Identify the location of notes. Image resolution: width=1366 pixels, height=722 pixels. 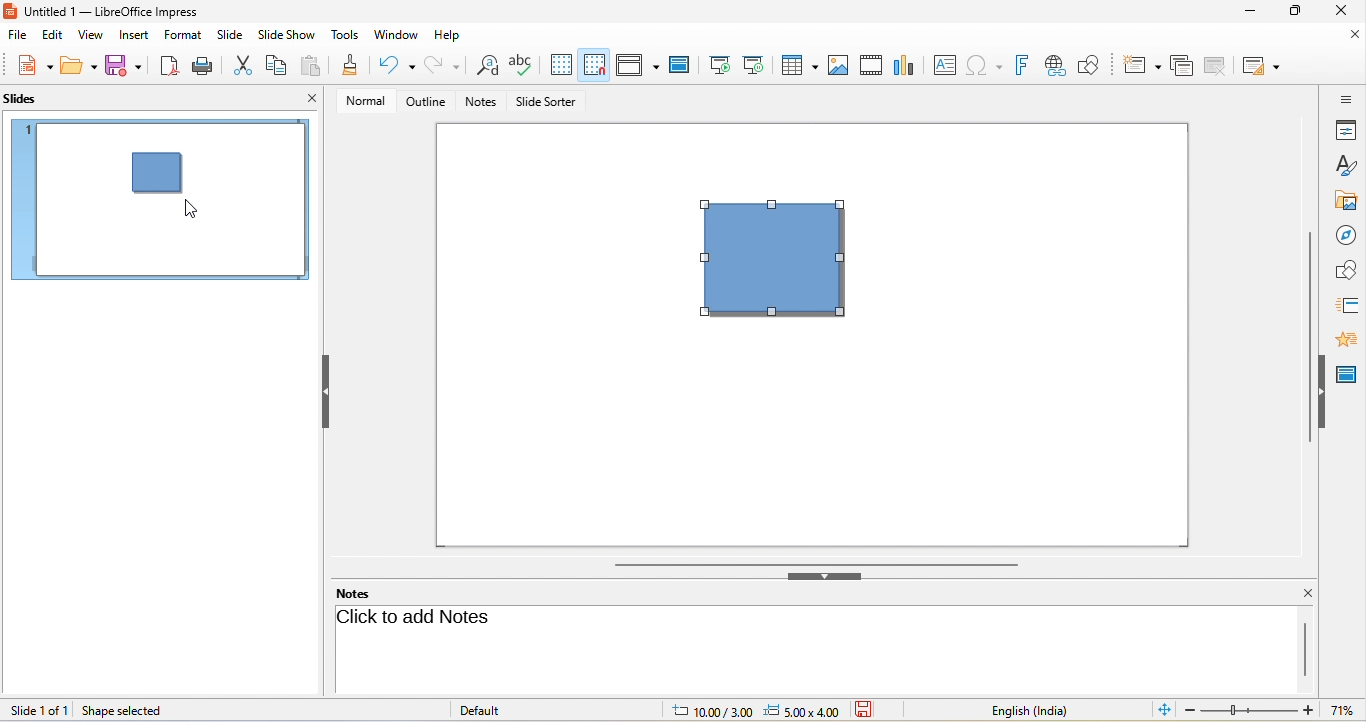
(482, 103).